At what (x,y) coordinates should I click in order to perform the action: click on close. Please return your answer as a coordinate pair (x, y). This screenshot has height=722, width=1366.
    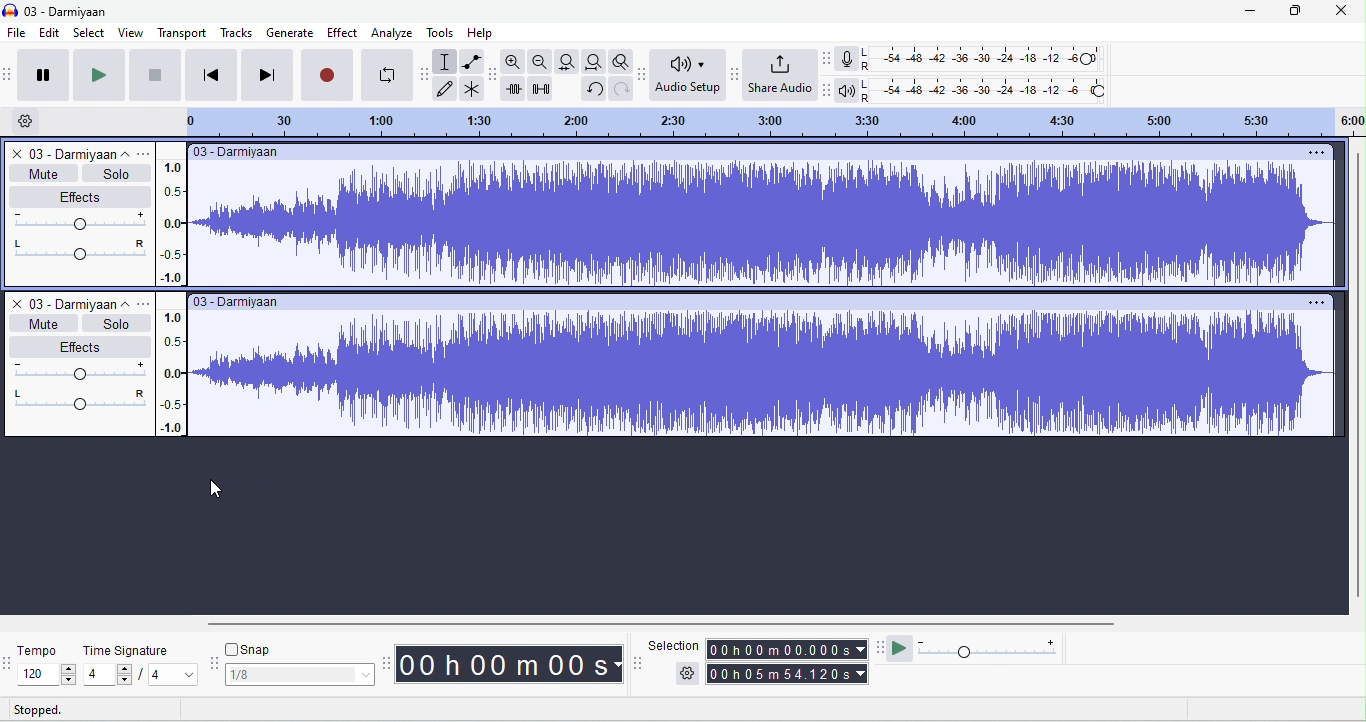
    Looking at the image, I should click on (1340, 13).